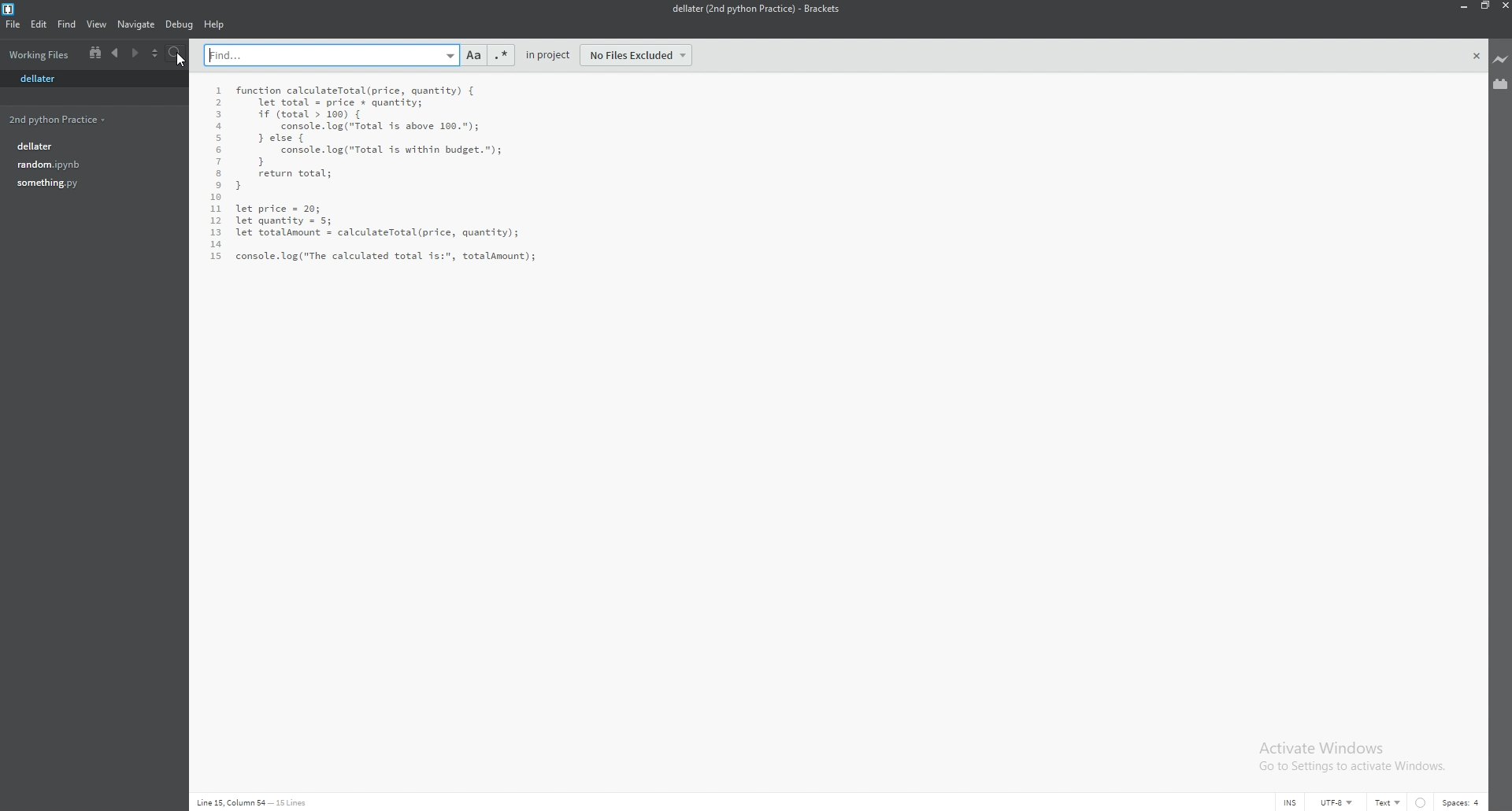 Image resolution: width=1512 pixels, height=811 pixels. I want to click on search, so click(176, 54).